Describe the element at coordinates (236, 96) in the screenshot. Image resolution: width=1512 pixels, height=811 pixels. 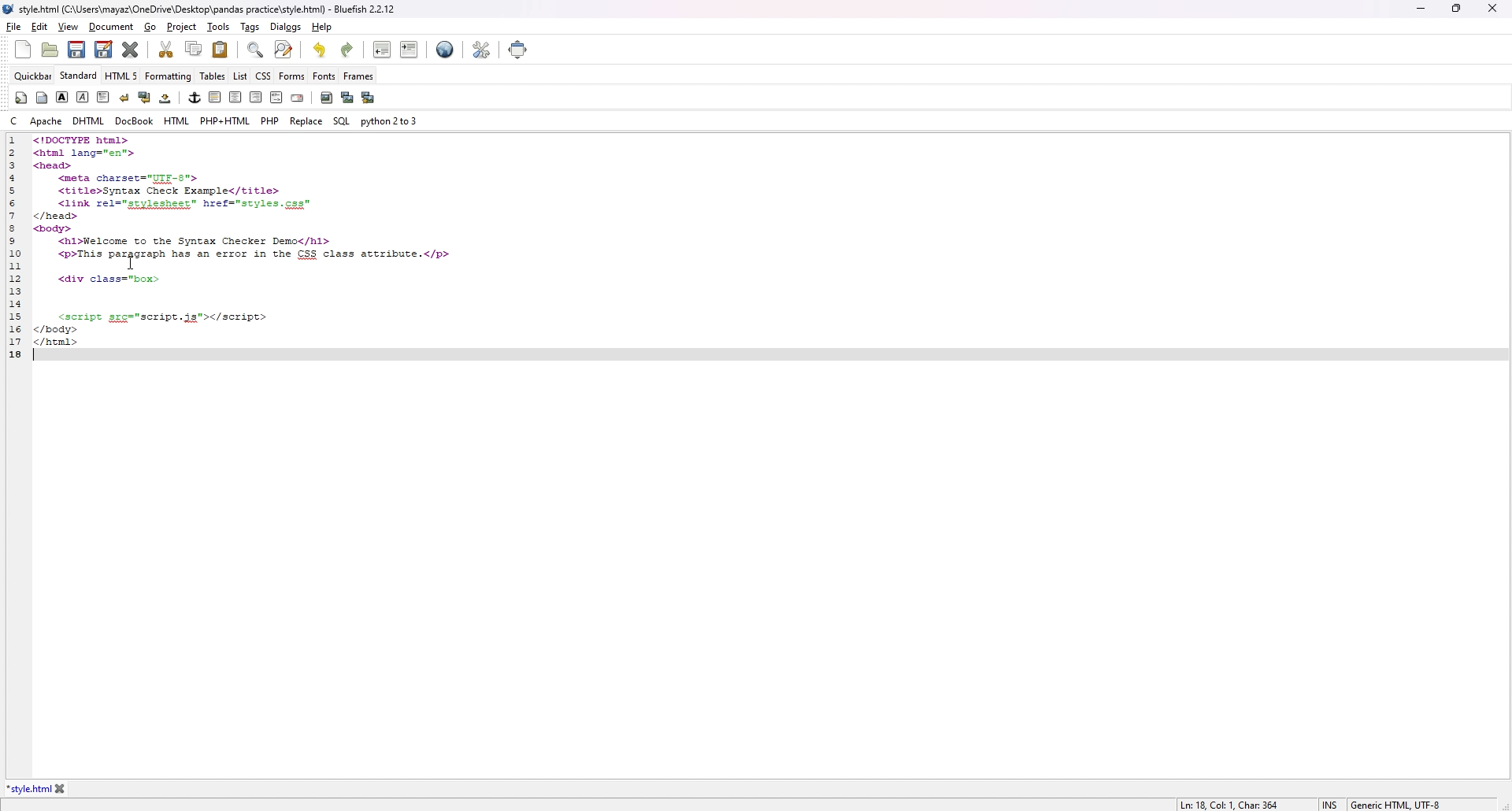
I see `center` at that location.